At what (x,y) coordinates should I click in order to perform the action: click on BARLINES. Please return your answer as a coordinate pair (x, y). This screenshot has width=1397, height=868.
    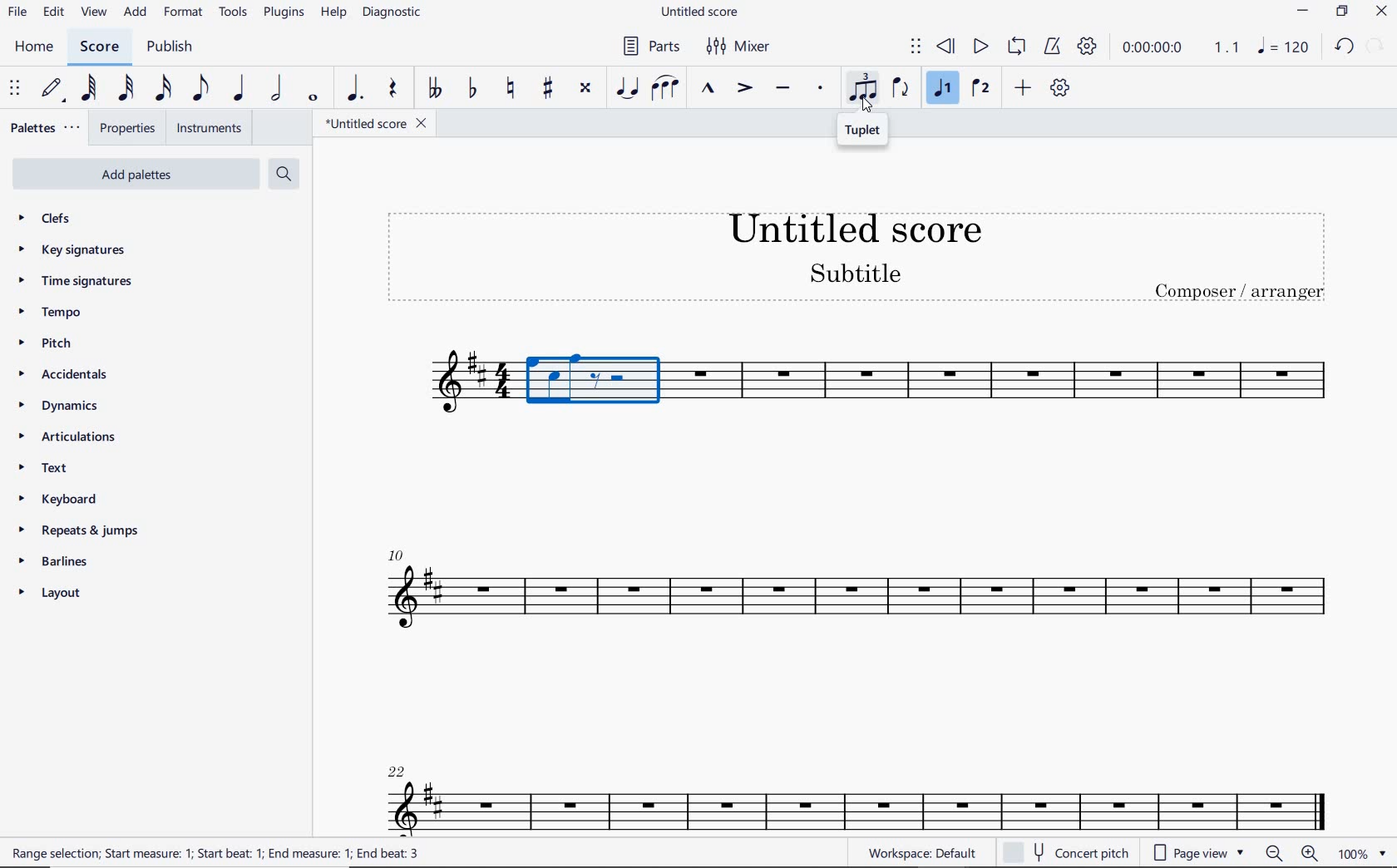
    Looking at the image, I should click on (51, 562).